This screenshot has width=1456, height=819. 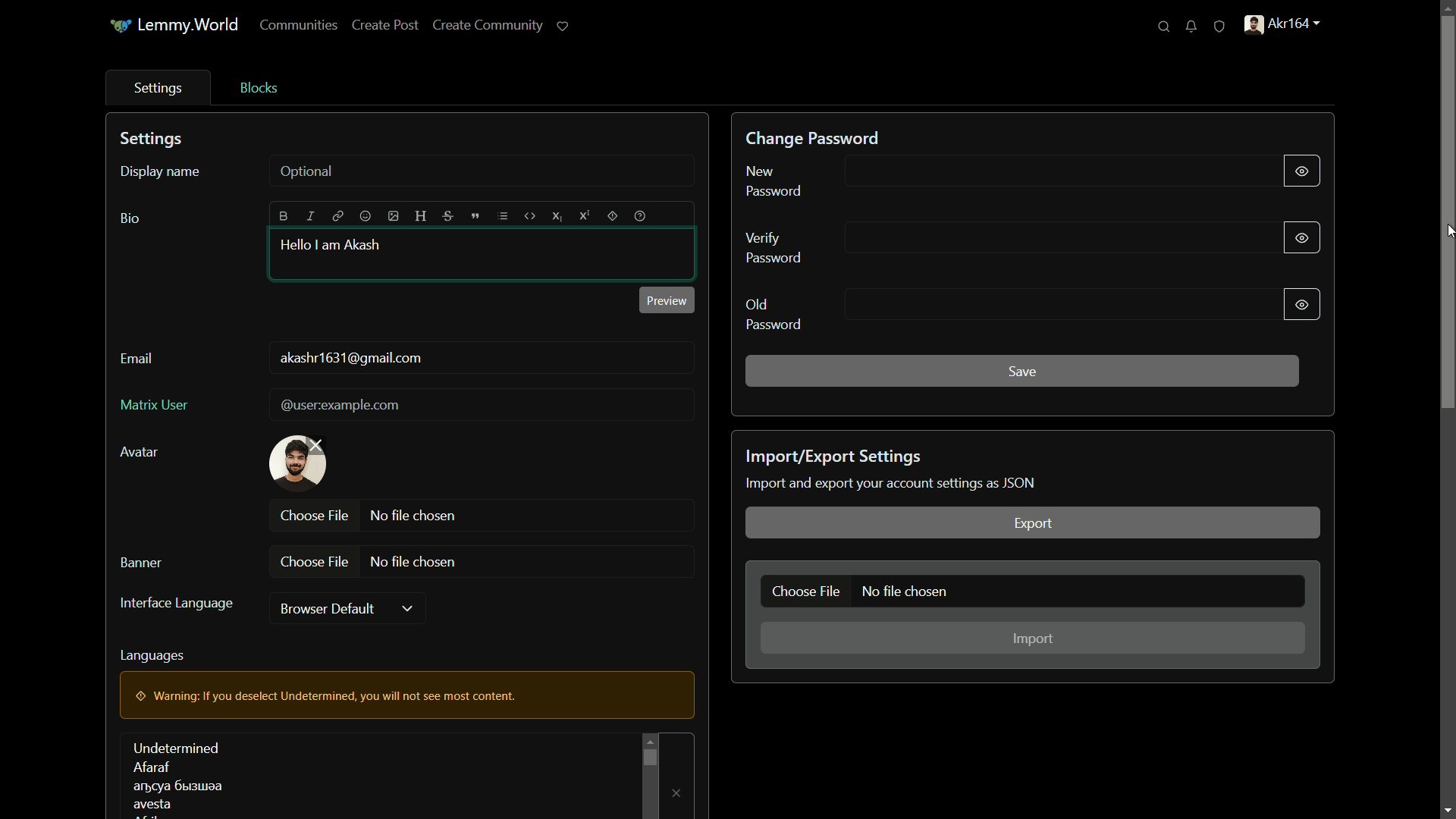 I want to click on user mail, so click(x=351, y=359).